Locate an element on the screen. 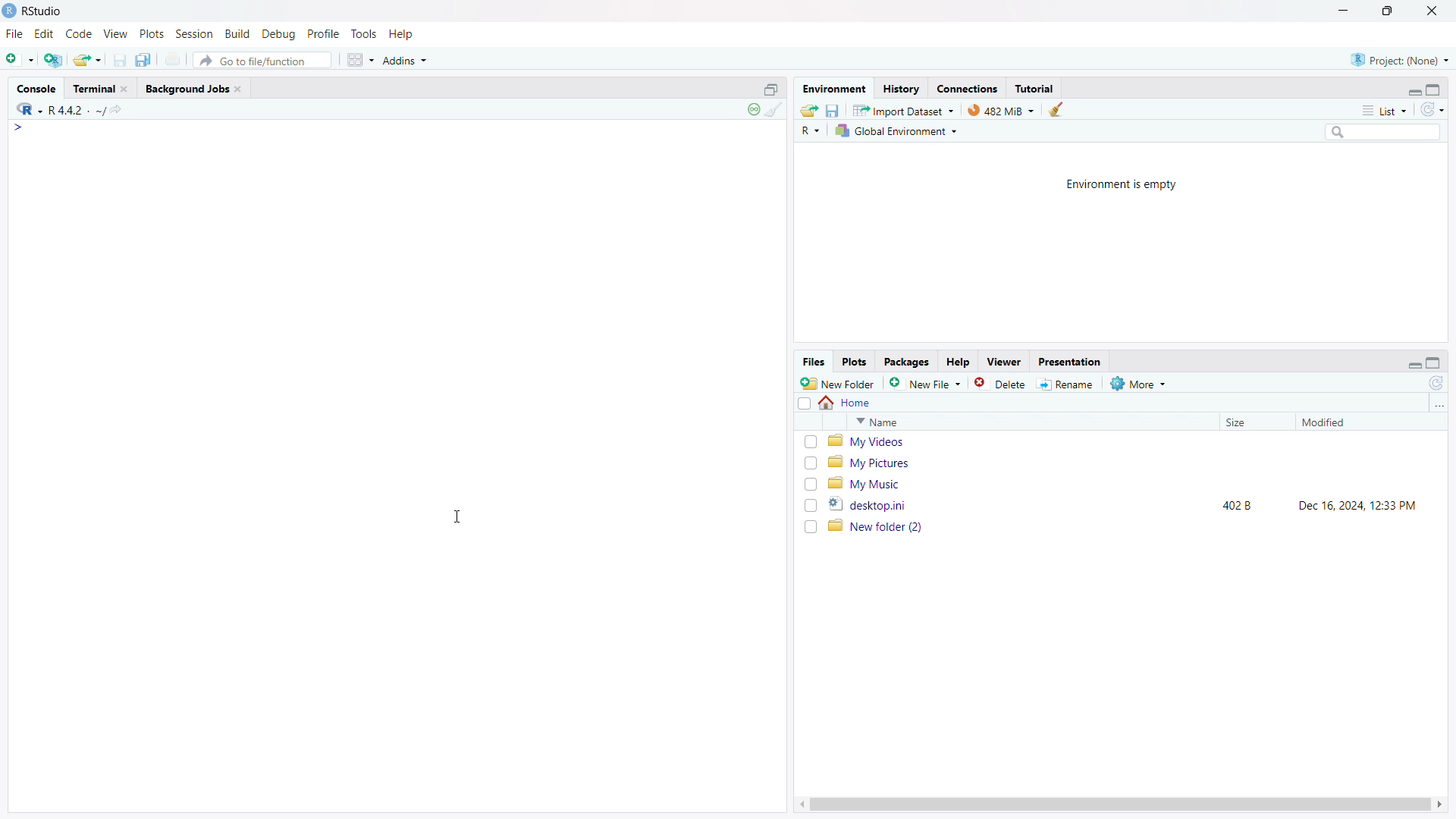 The width and height of the screenshot is (1456, 819). background jobs is located at coordinates (186, 88).